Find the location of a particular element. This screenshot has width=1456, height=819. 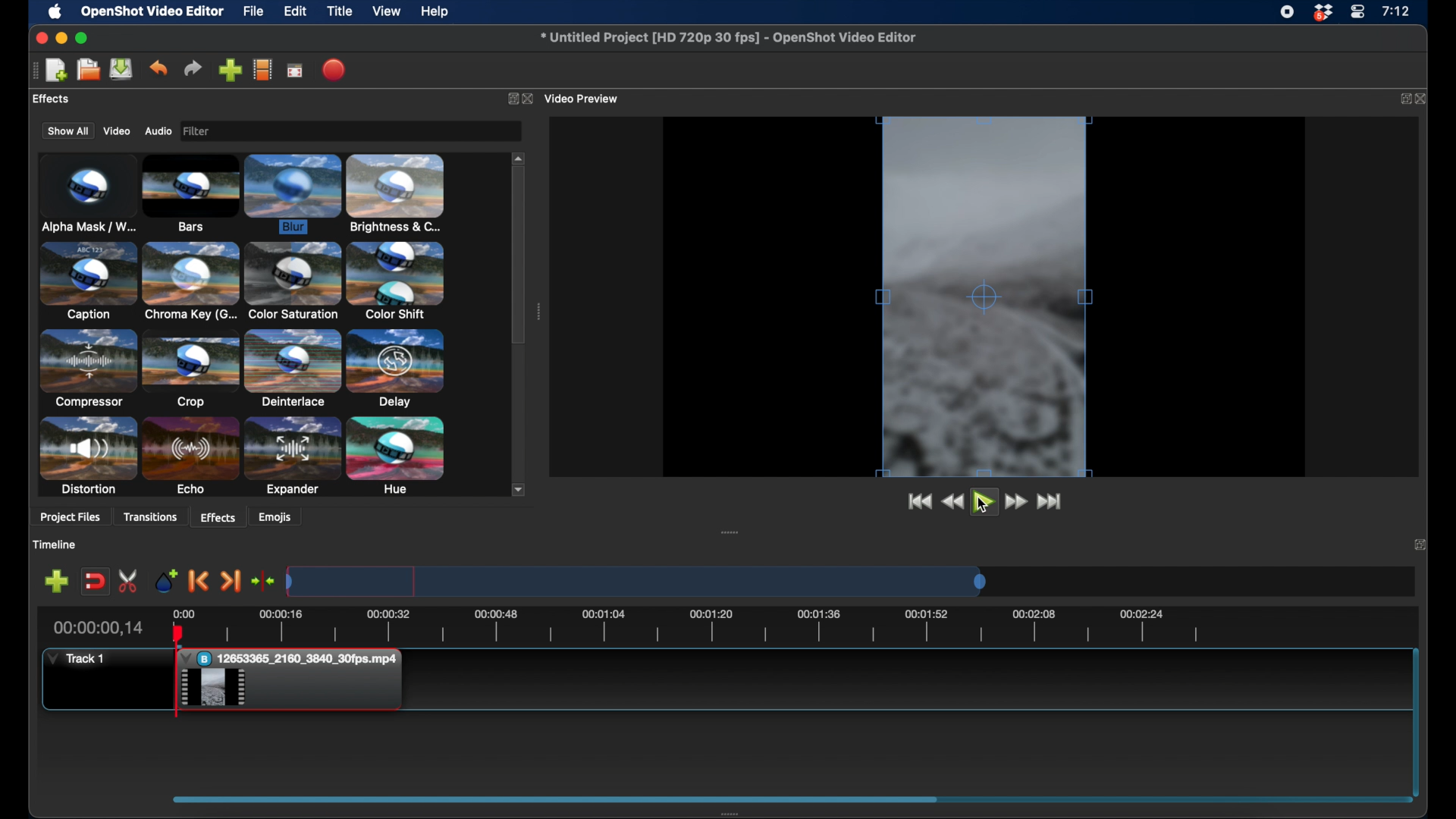

distortion is located at coordinates (86, 456).